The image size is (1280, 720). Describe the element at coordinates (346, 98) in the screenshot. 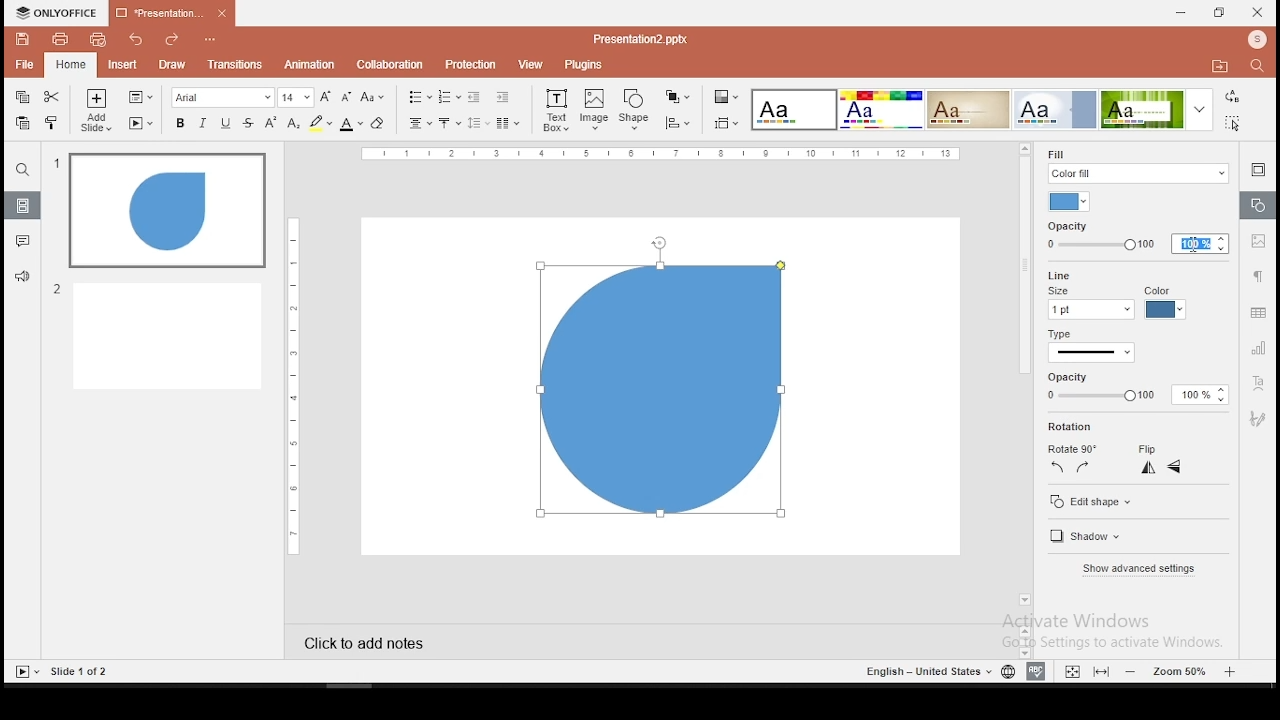

I see `decrease font size` at that location.